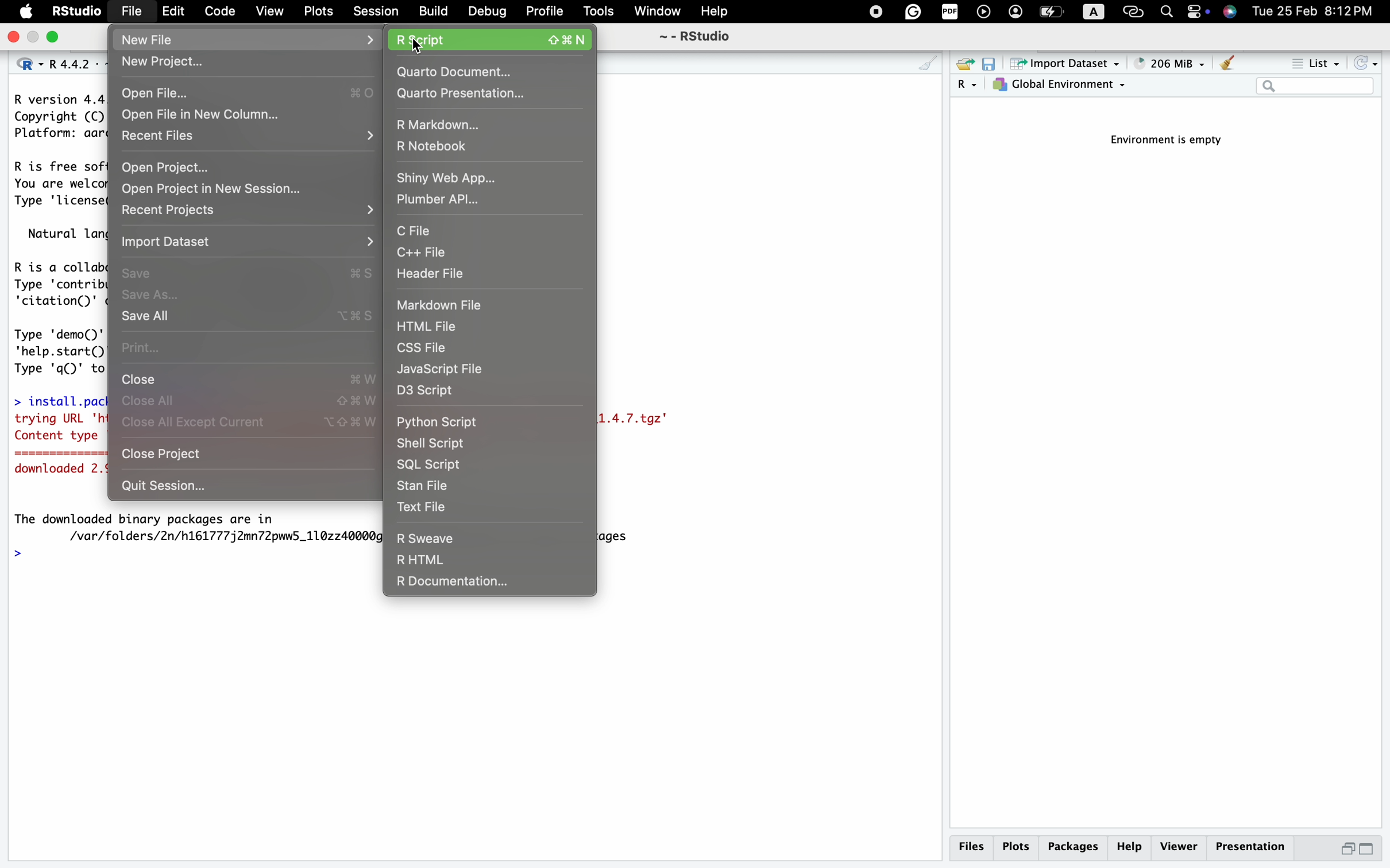 The image size is (1390, 868). I want to click on typing cursor, so click(36, 555).